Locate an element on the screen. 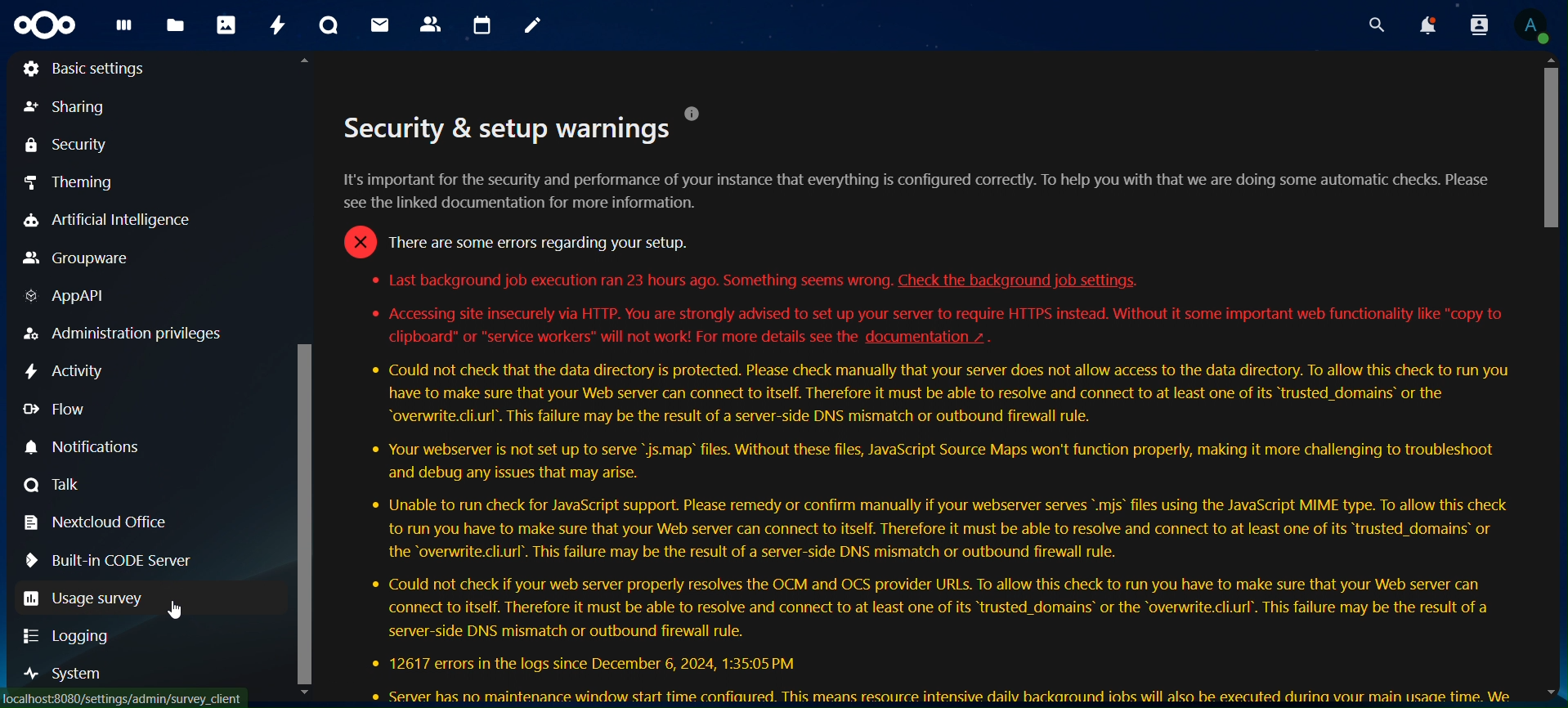 This screenshot has height=708, width=1568. logging is located at coordinates (74, 635).